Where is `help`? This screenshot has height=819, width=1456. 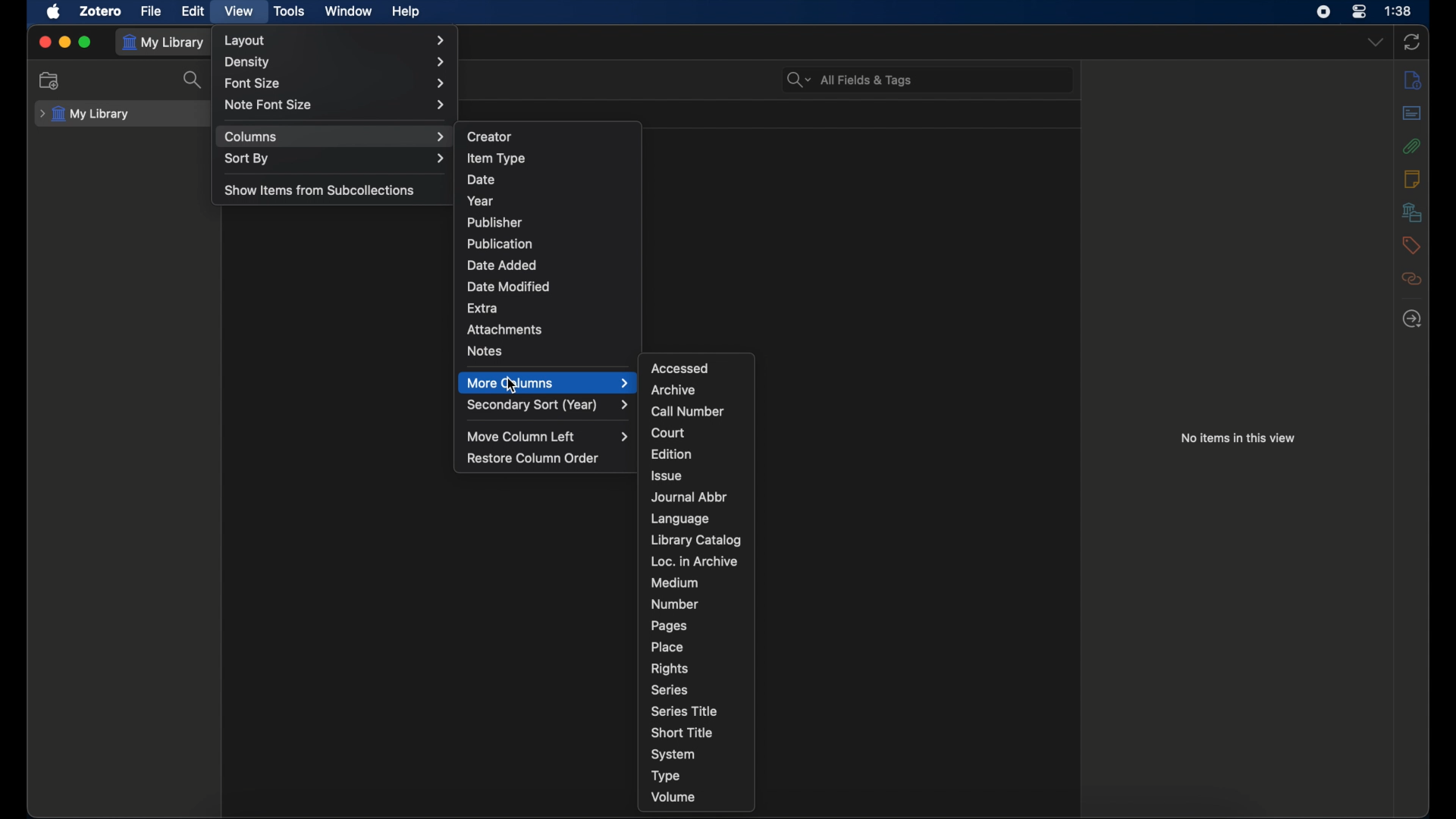 help is located at coordinates (405, 11).